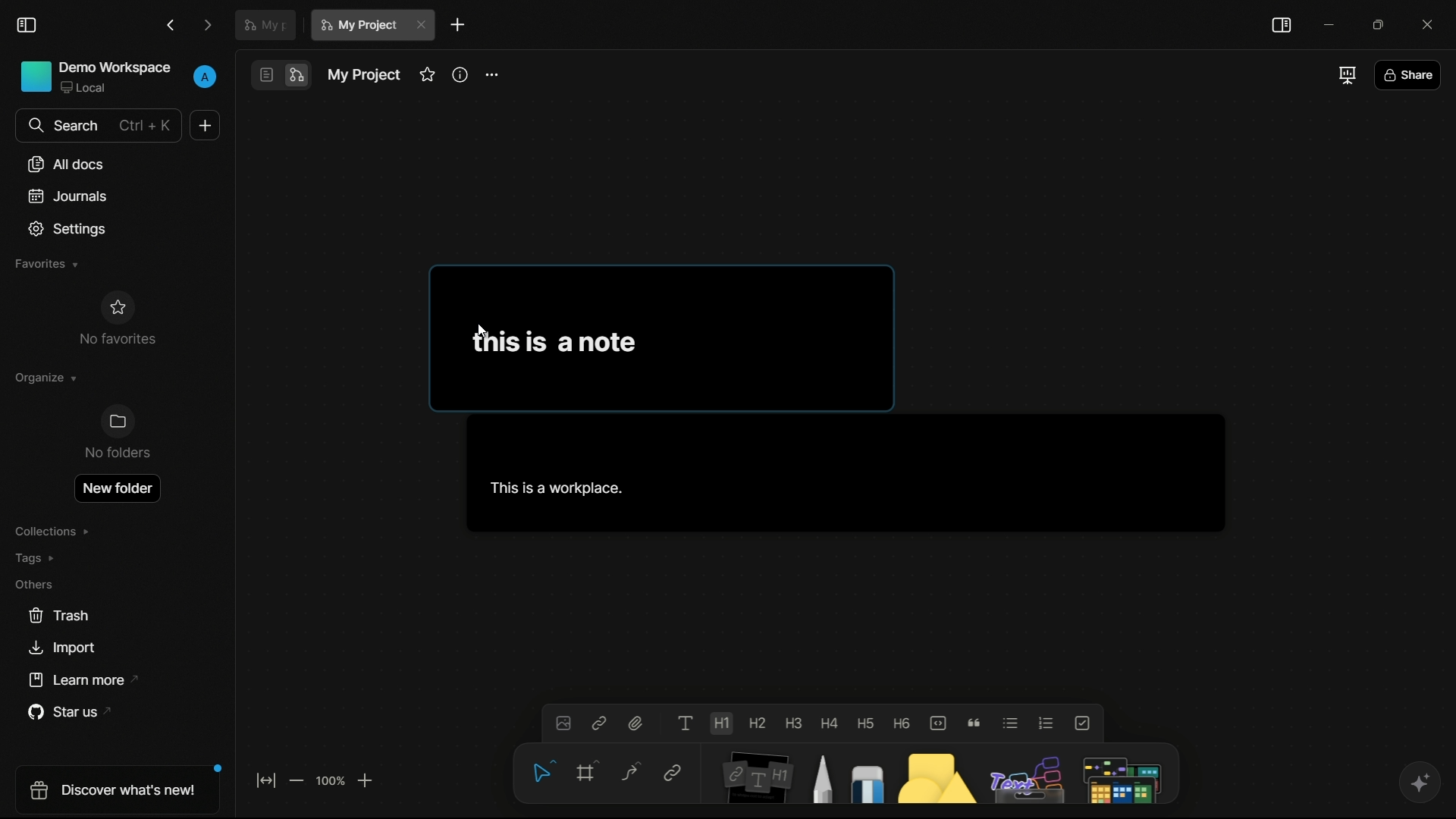  Describe the element at coordinates (795, 720) in the screenshot. I see `heading 3` at that location.